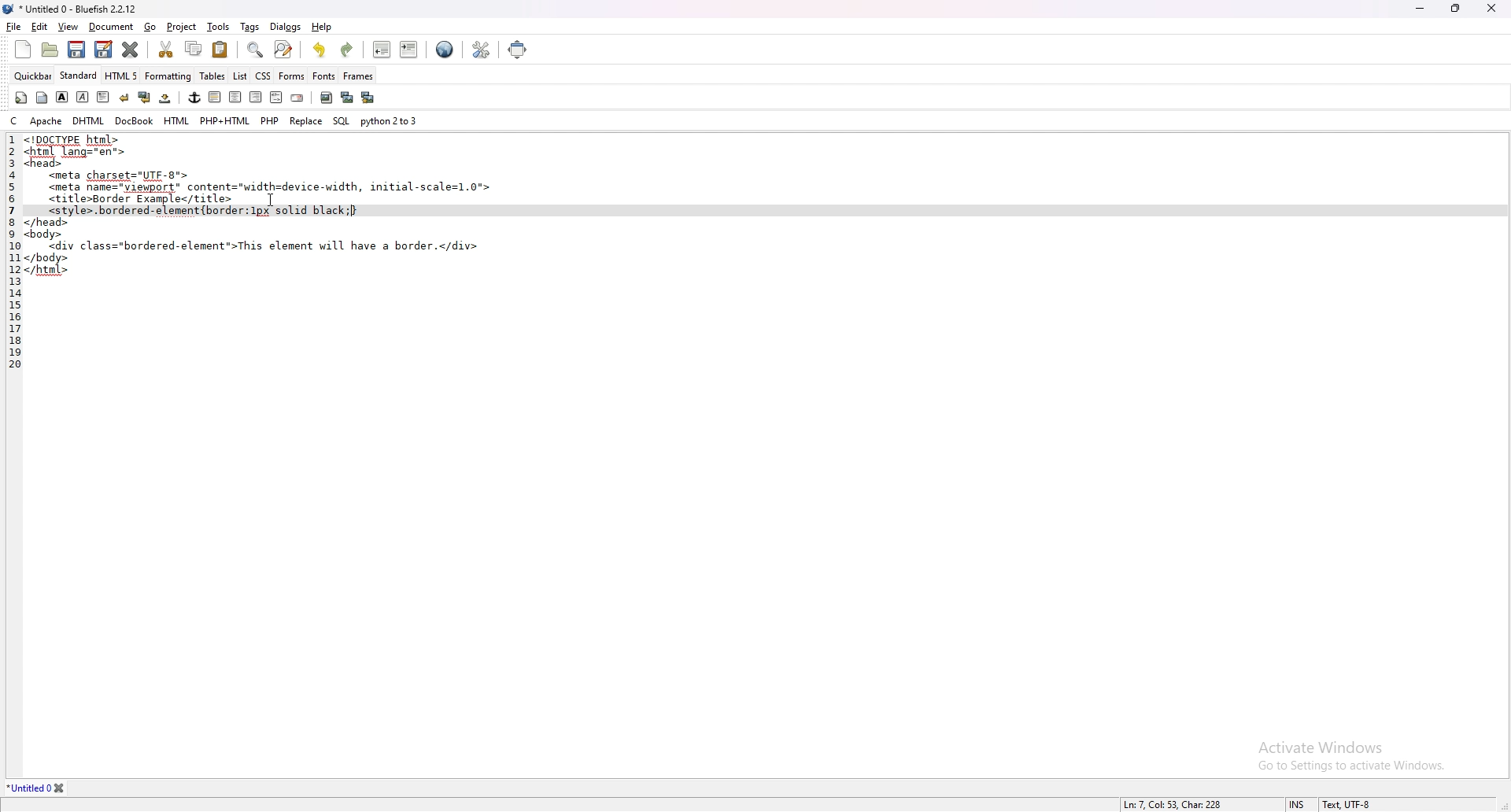 The width and height of the screenshot is (1511, 812). I want to click on Cursor, so click(270, 200).